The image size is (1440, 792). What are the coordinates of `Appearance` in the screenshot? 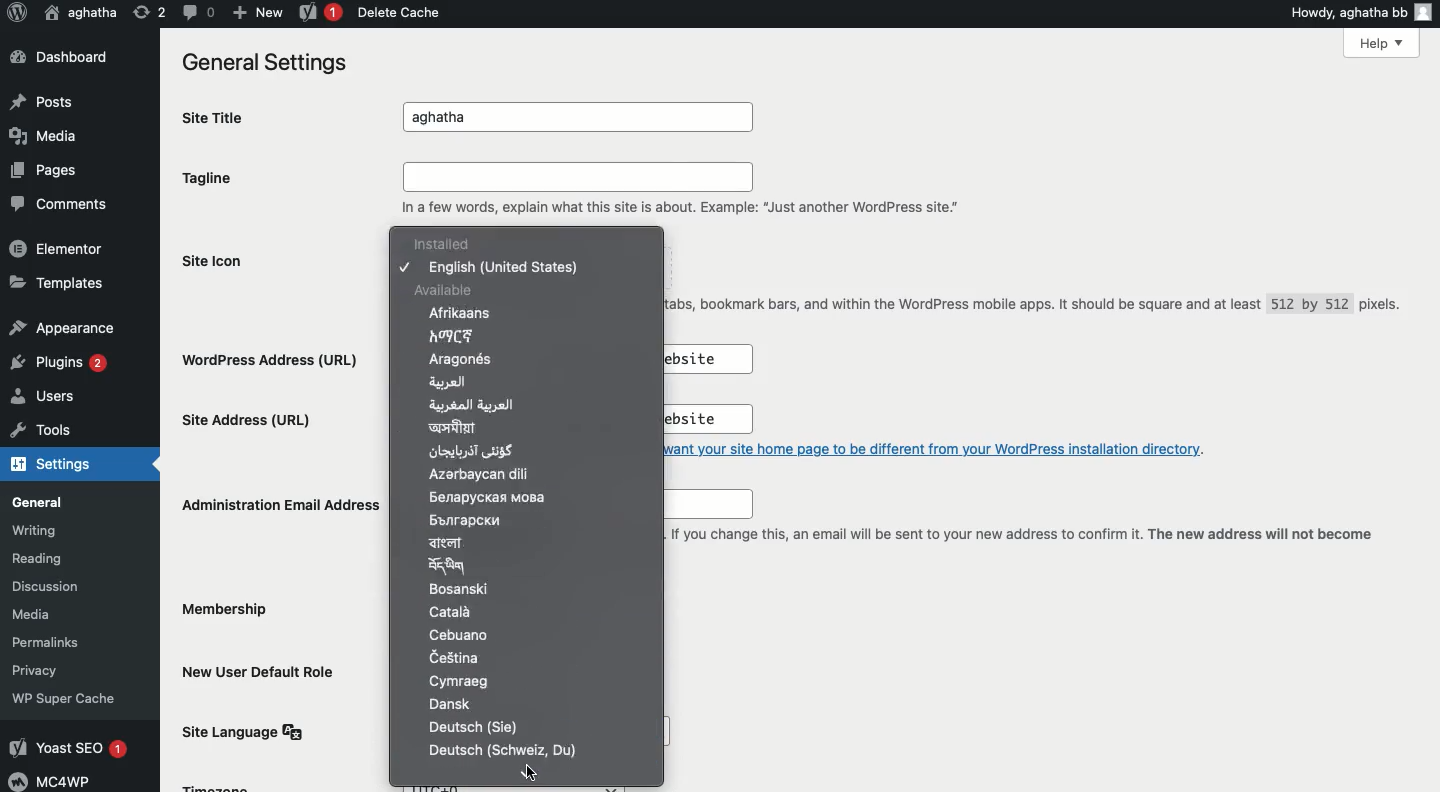 It's located at (60, 325).